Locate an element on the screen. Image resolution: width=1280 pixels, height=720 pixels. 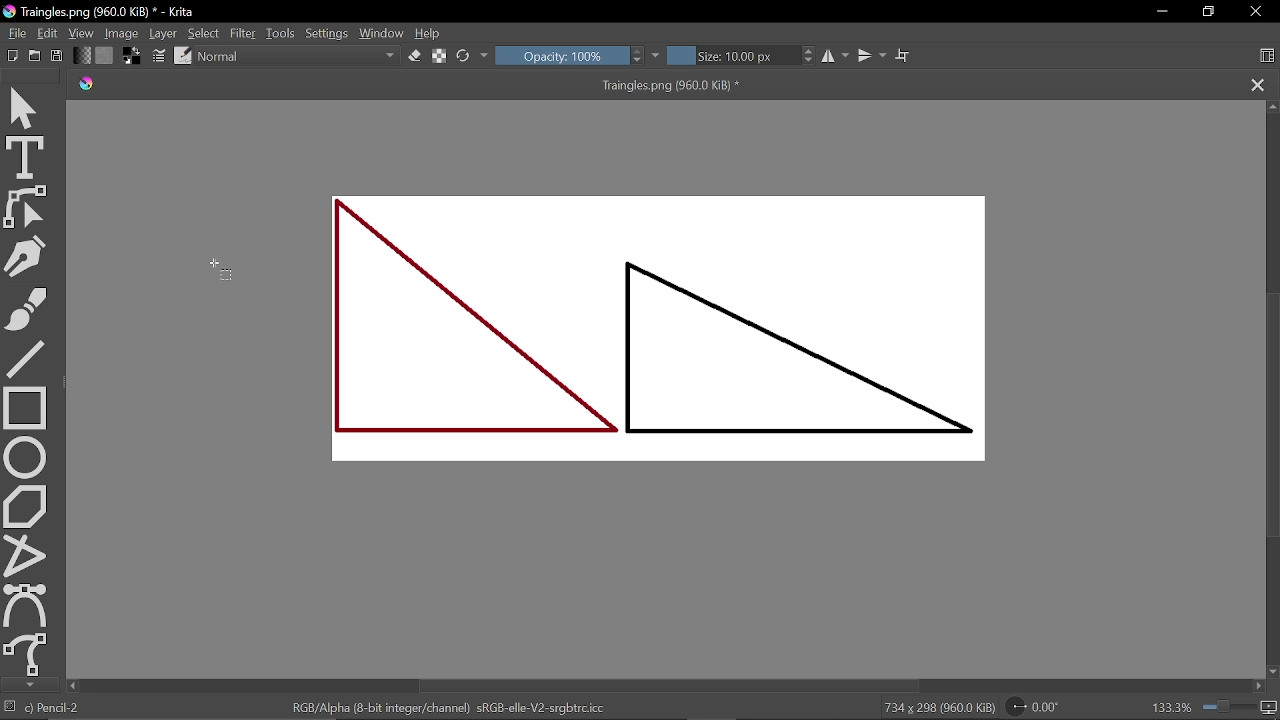
Size: 10.00 px is located at coordinates (743, 55).